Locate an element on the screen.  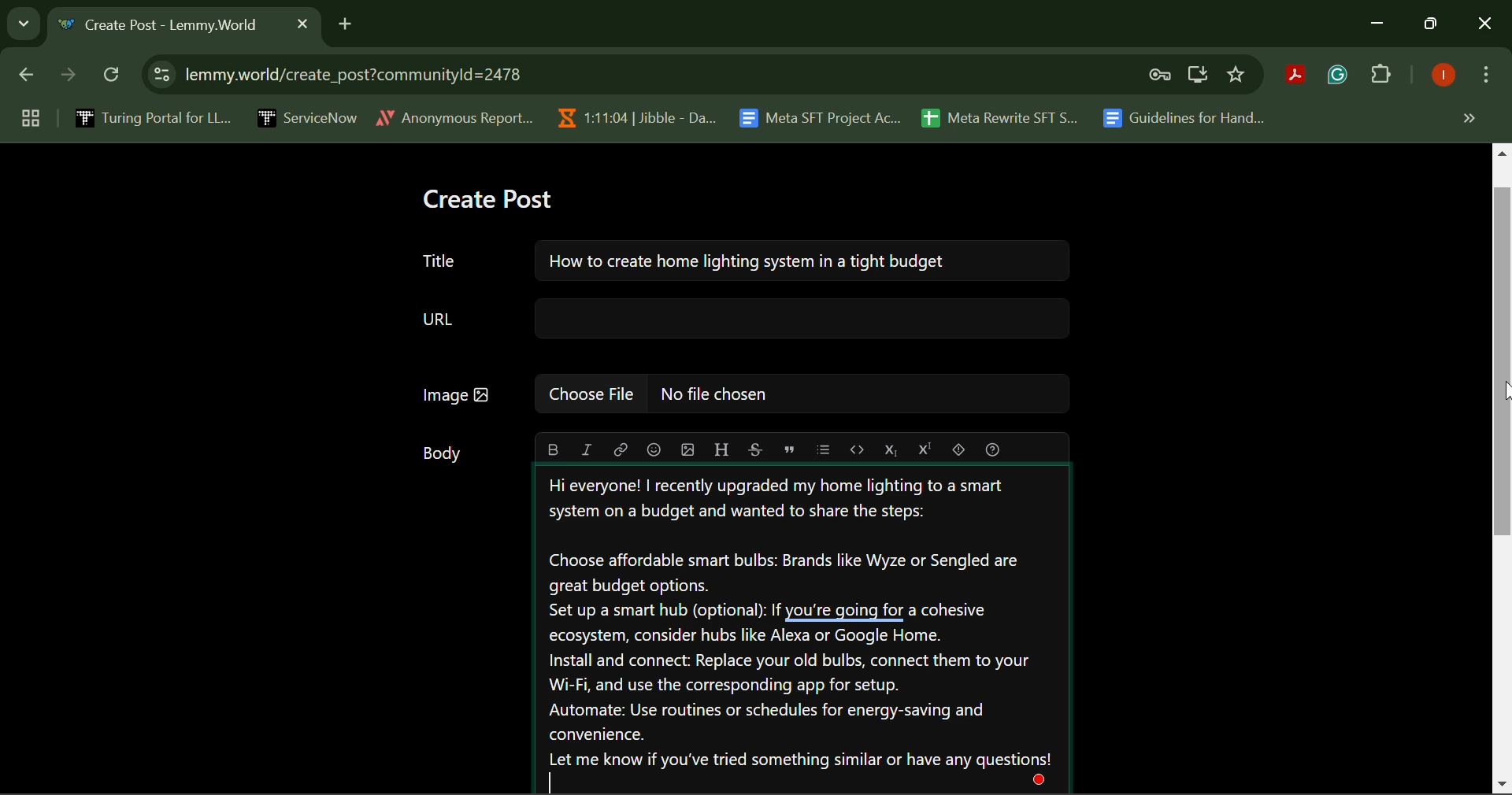
quote is located at coordinates (788, 449).